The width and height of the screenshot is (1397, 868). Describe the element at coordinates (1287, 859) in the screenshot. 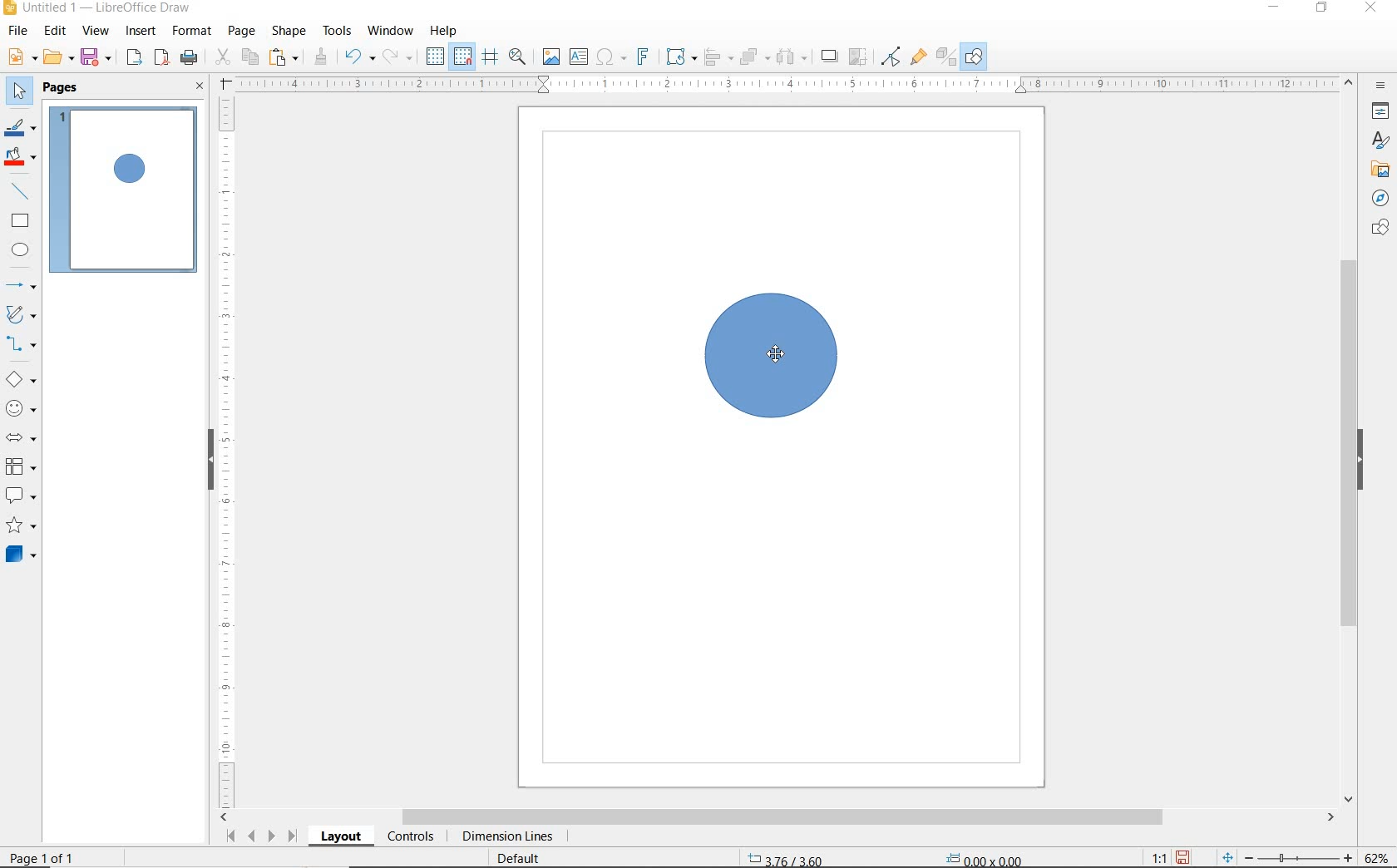

I see `ZOOM OUT OR ZOOM IN` at that location.